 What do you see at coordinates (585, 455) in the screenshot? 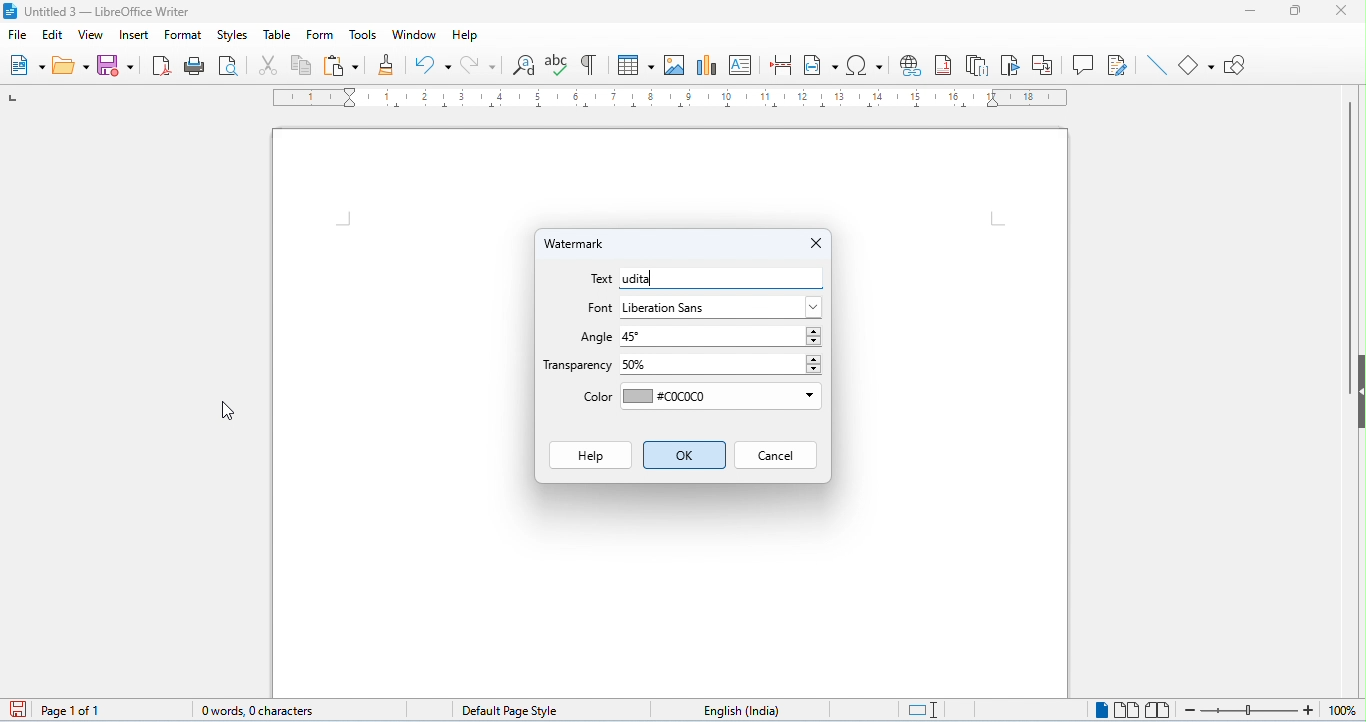
I see `help` at bounding box center [585, 455].